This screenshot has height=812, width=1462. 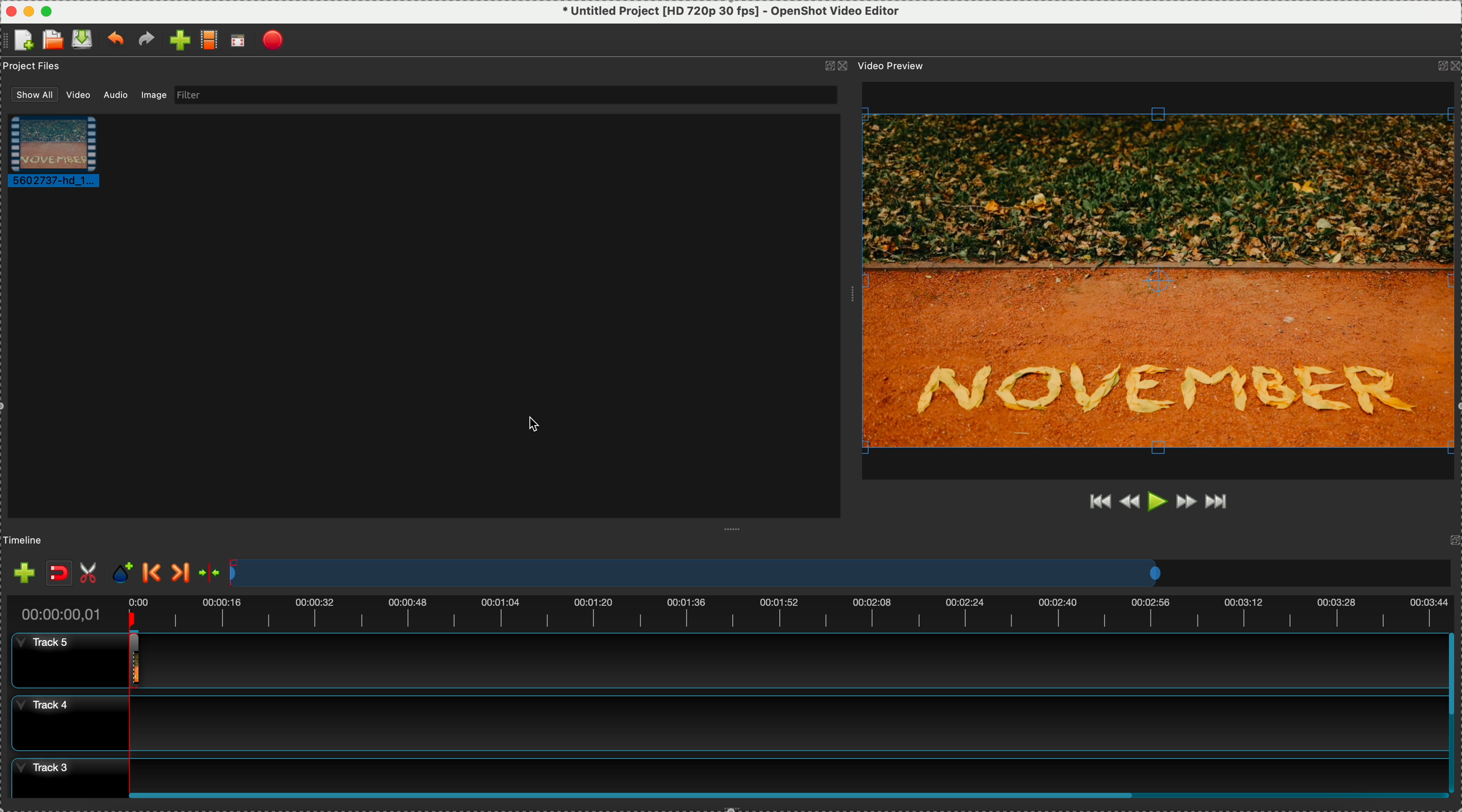 I want to click on play, so click(x=1158, y=502).